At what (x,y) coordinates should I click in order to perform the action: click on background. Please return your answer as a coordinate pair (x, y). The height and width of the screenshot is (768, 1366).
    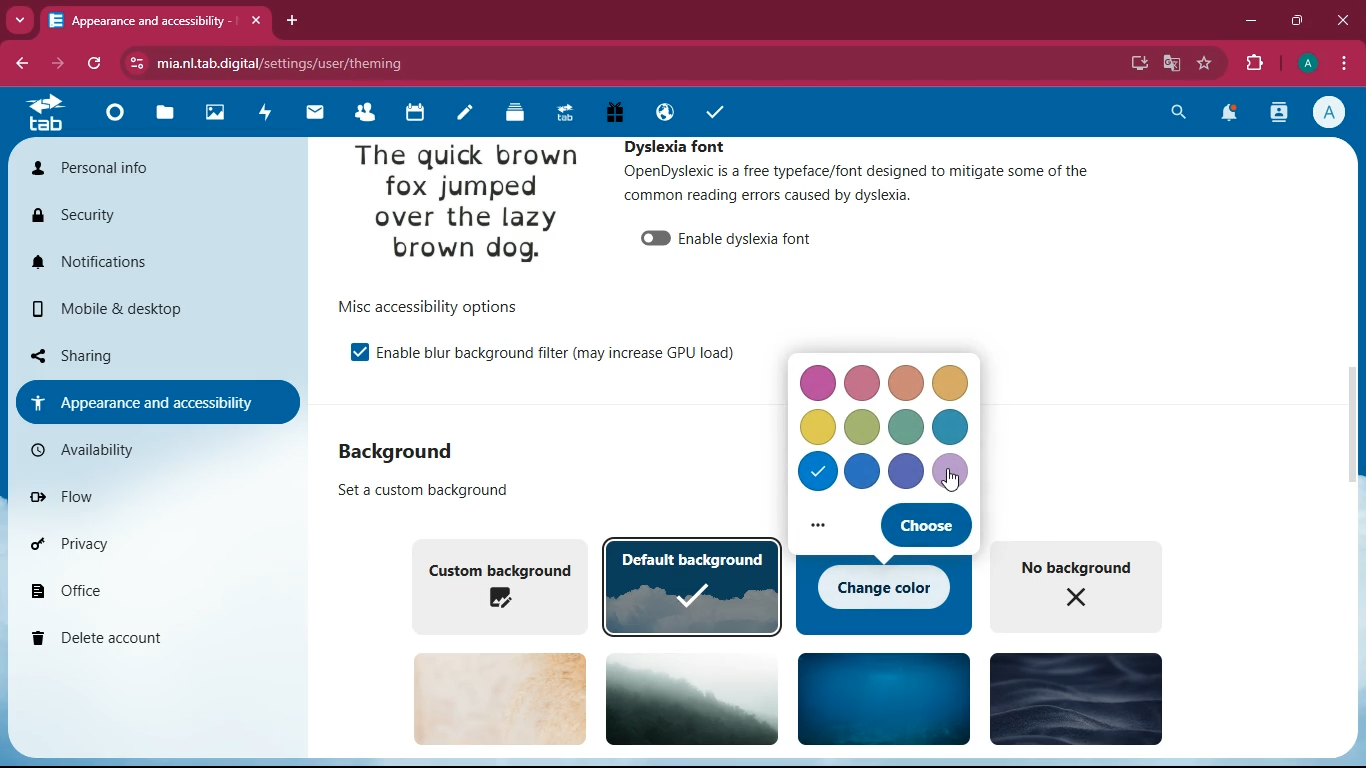
    Looking at the image, I should click on (884, 697).